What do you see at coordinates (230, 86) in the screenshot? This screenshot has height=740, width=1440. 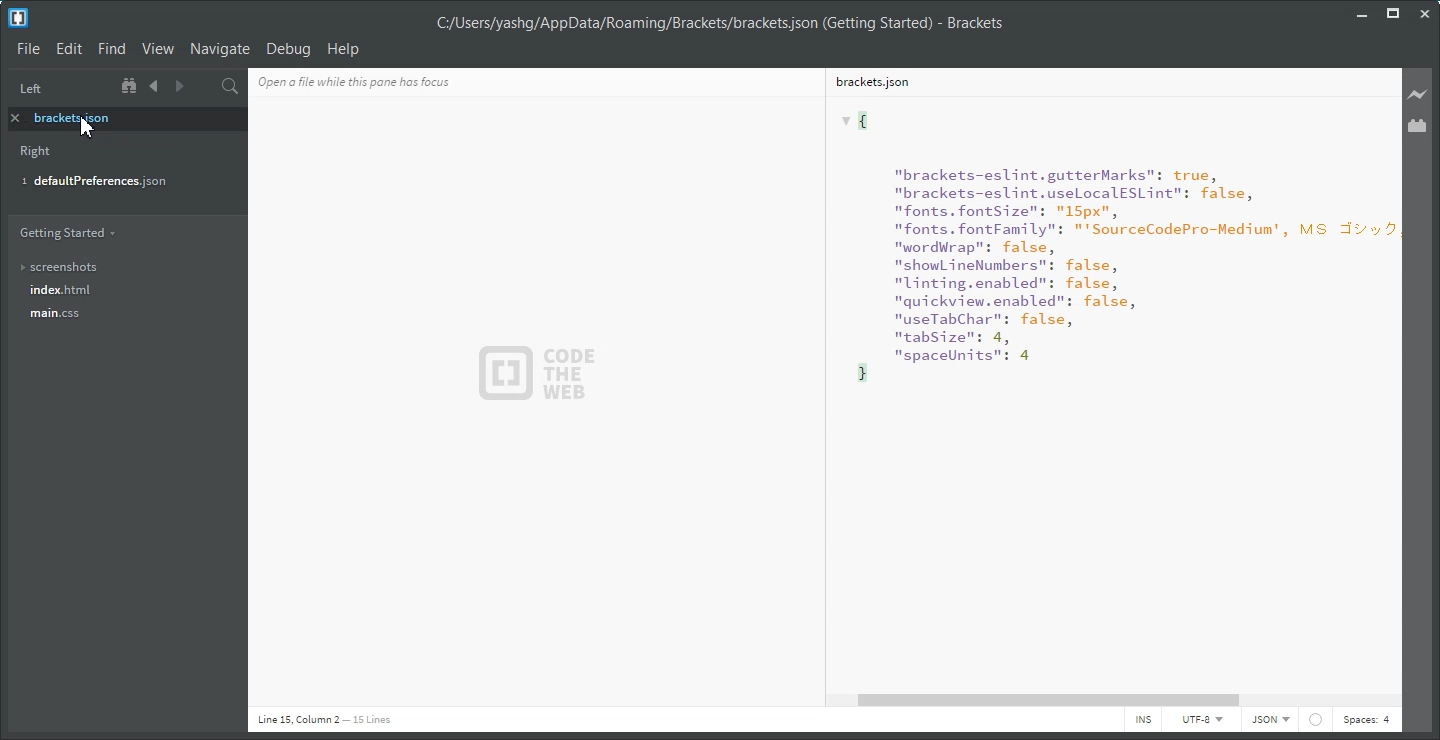 I see `Find in File` at bounding box center [230, 86].